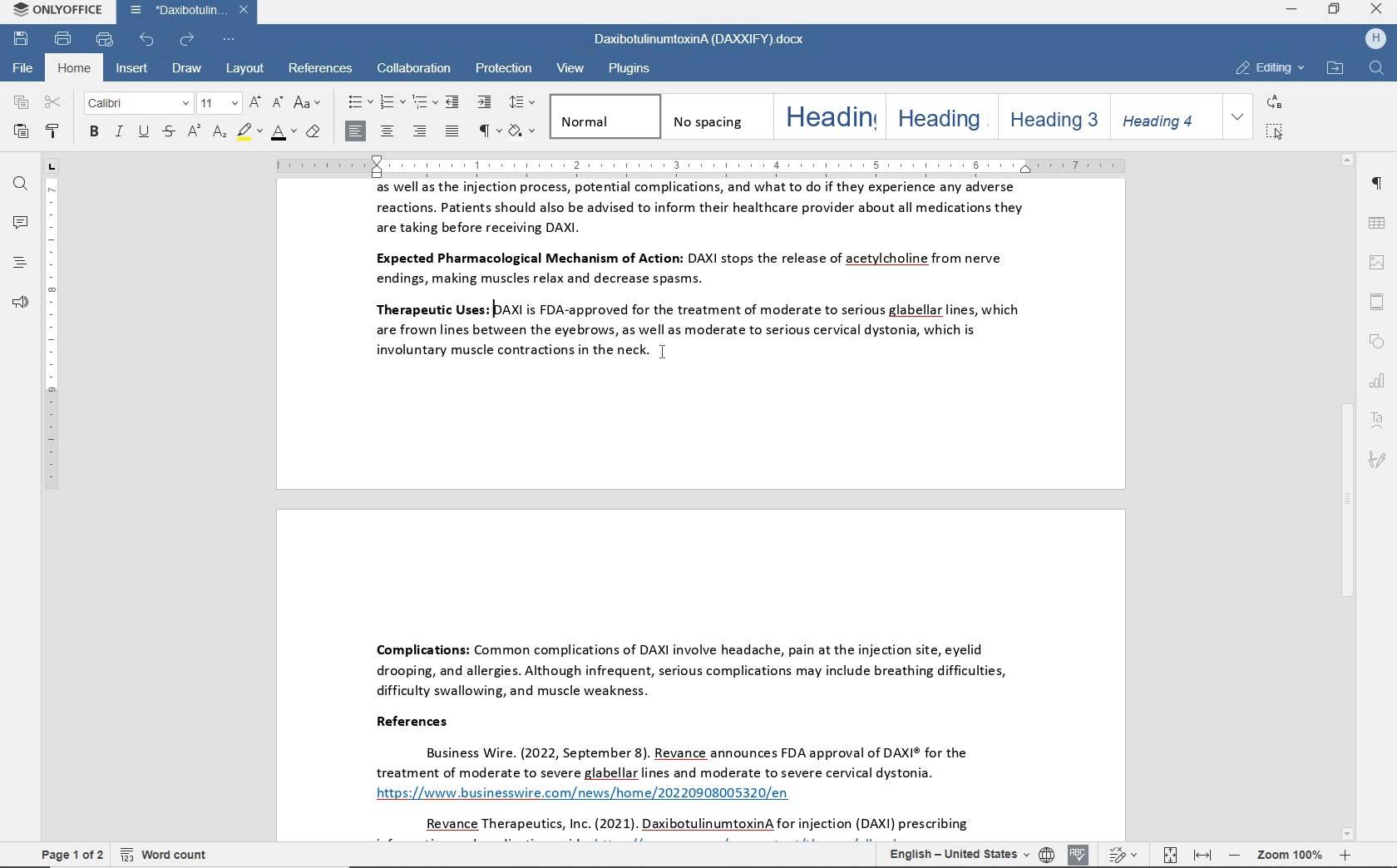 The height and width of the screenshot is (868, 1397). What do you see at coordinates (52, 508) in the screenshot?
I see `ruler` at bounding box center [52, 508].